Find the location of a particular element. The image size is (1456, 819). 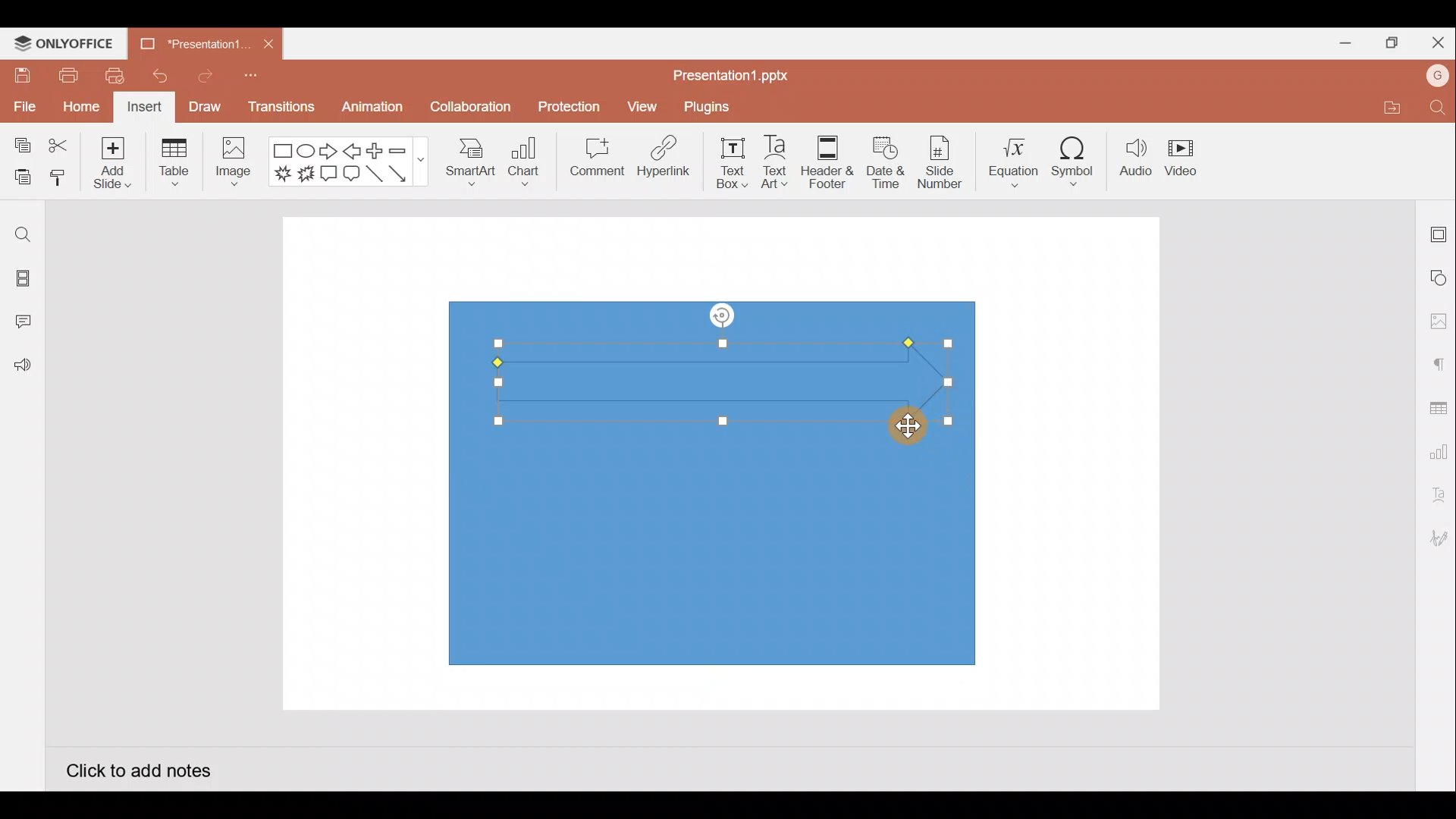

Table is located at coordinates (176, 164).